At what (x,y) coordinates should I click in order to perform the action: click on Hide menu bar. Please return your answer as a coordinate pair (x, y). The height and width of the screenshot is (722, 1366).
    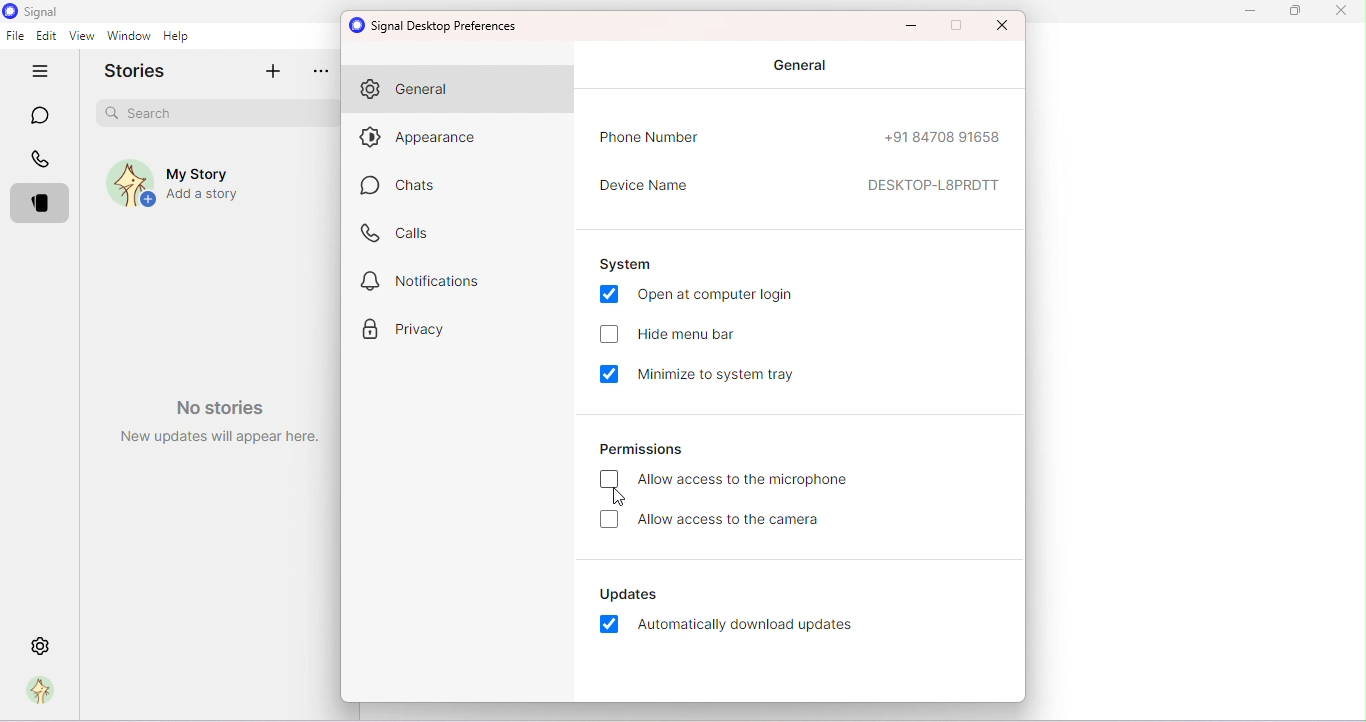
    Looking at the image, I should click on (678, 334).